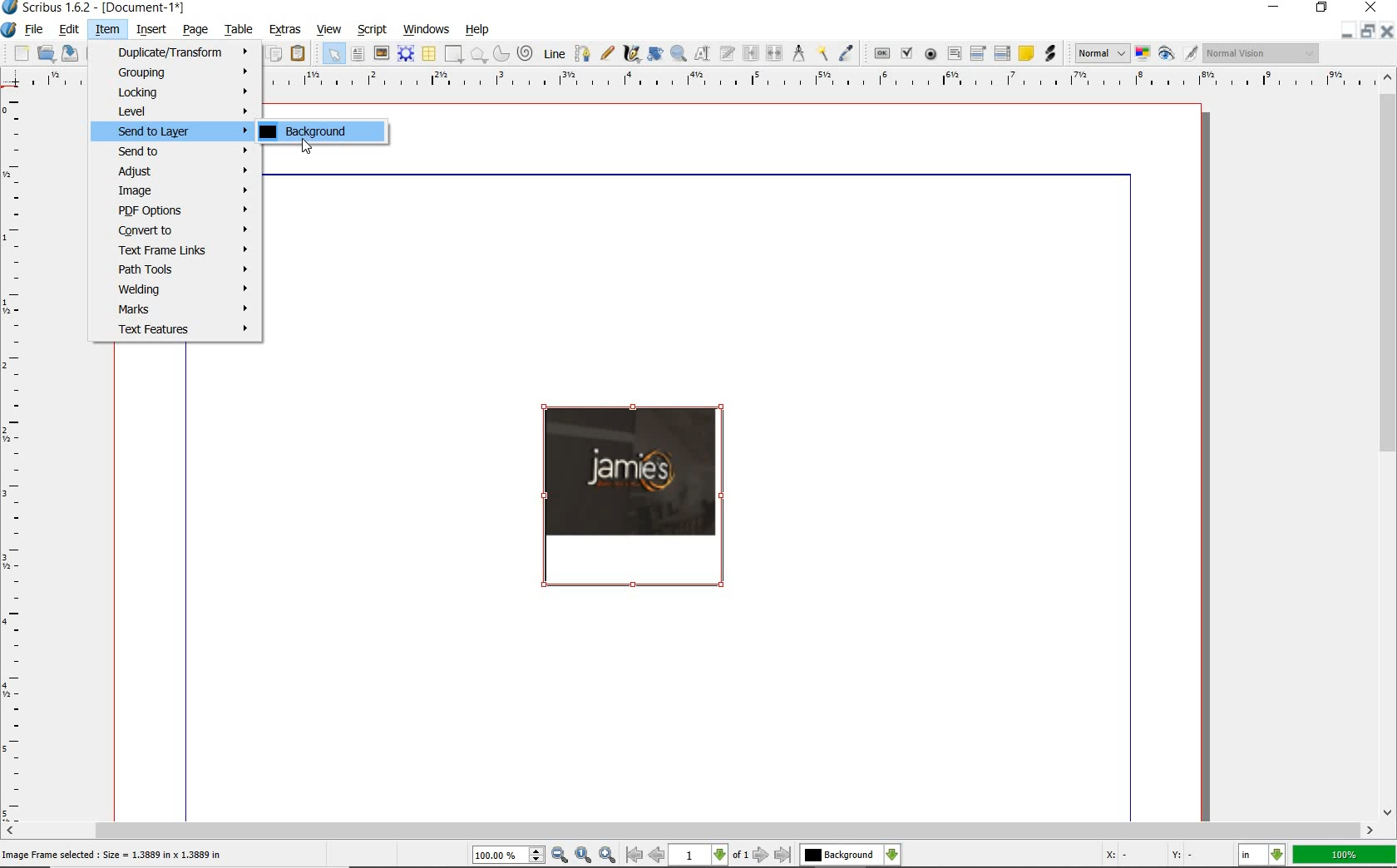 Image resolution: width=1397 pixels, height=868 pixels. Describe the element at coordinates (775, 54) in the screenshot. I see `unlink text frames` at that location.